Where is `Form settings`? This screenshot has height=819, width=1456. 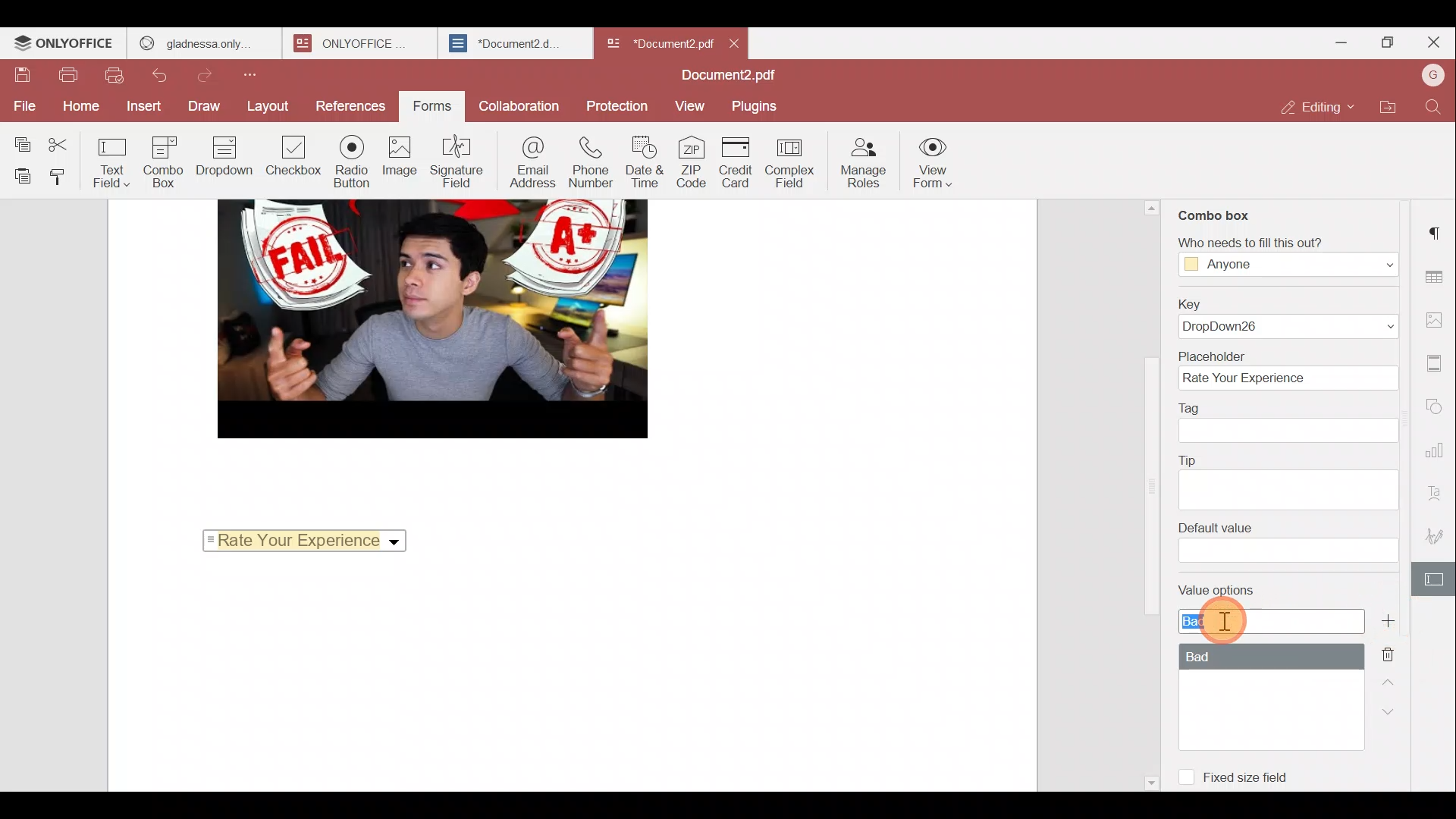 Form settings is located at coordinates (1435, 579).